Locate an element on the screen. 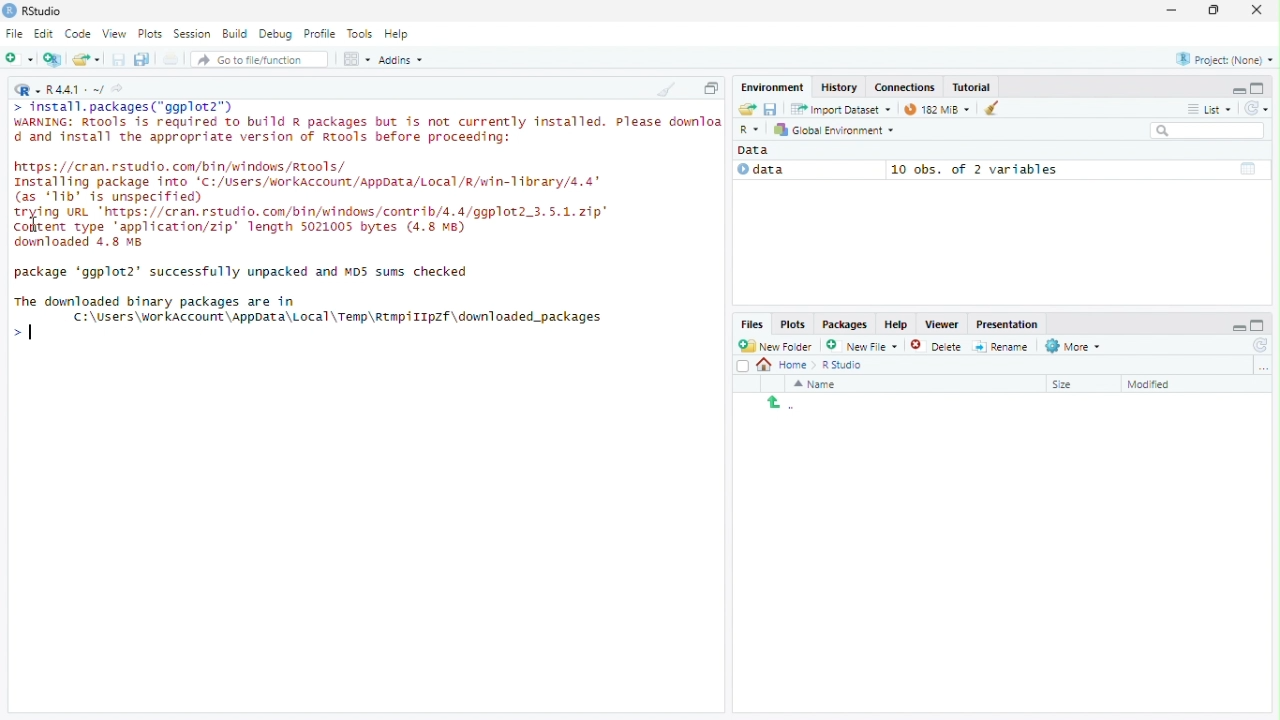 Image resolution: width=1280 pixels, height=720 pixels. print the current file is located at coordinates (171, 59).